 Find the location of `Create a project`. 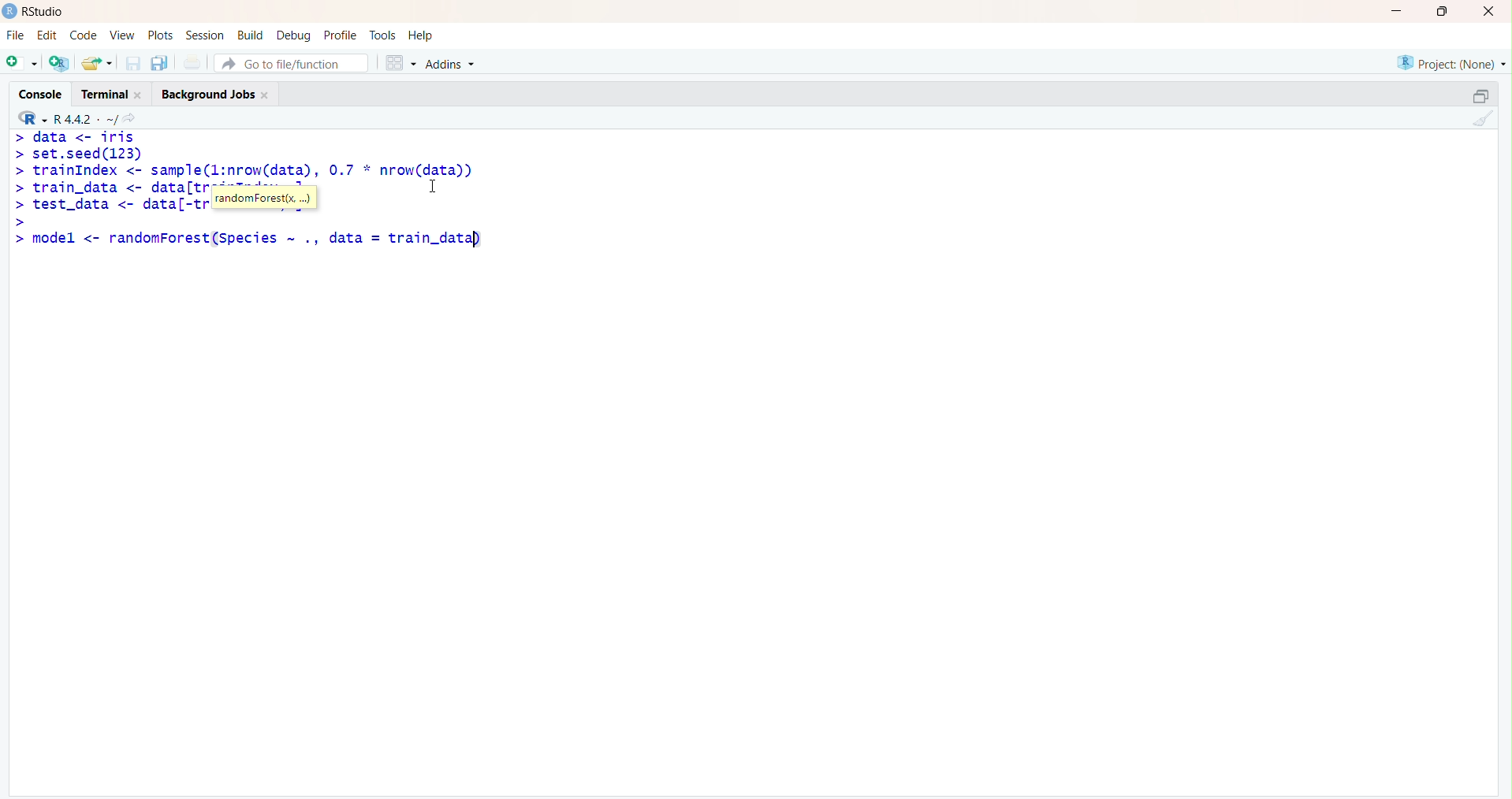

Create a project is located at coordinates (60, 61).